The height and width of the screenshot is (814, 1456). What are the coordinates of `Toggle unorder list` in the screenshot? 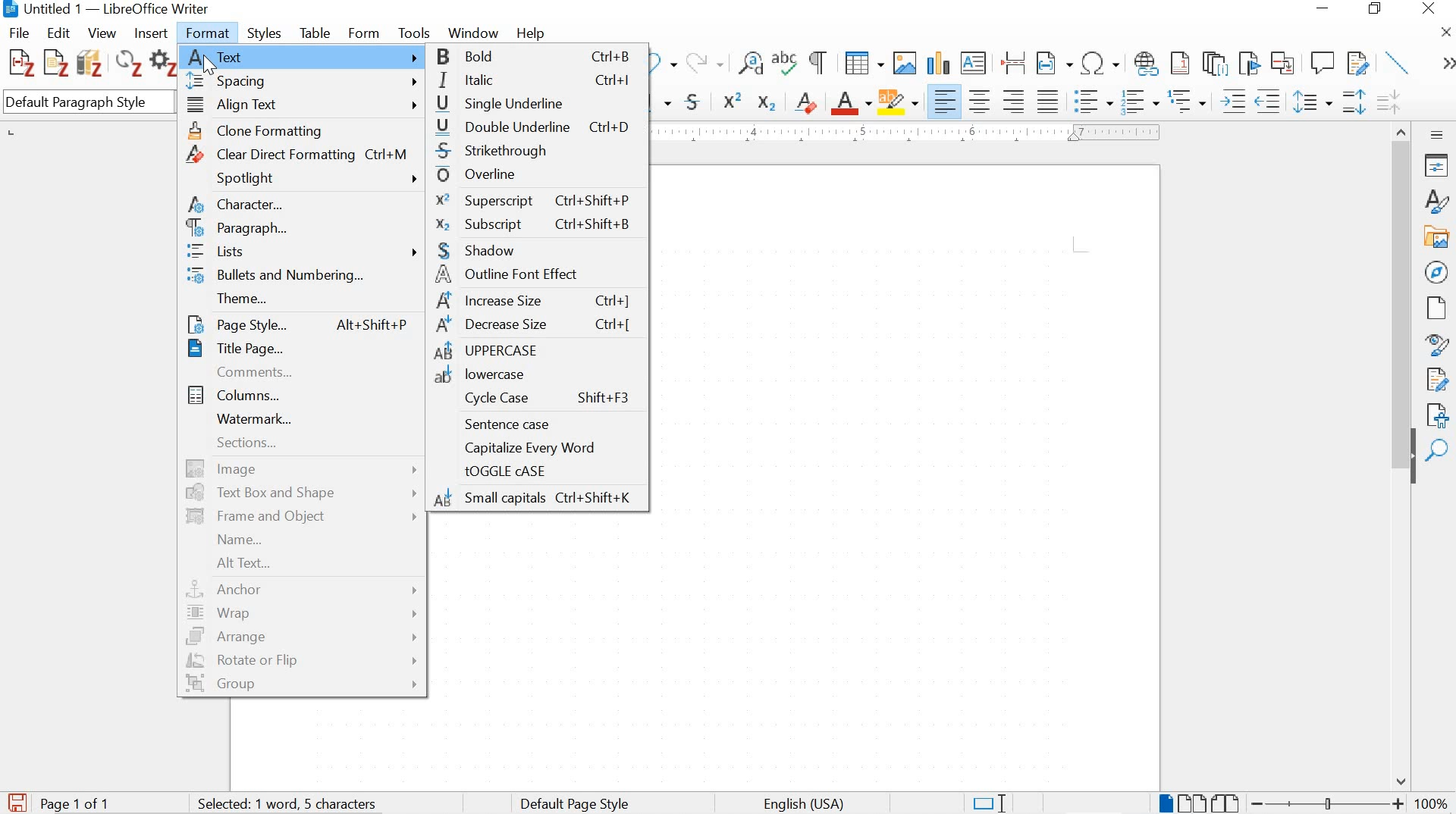 It's located at (1091, 99).